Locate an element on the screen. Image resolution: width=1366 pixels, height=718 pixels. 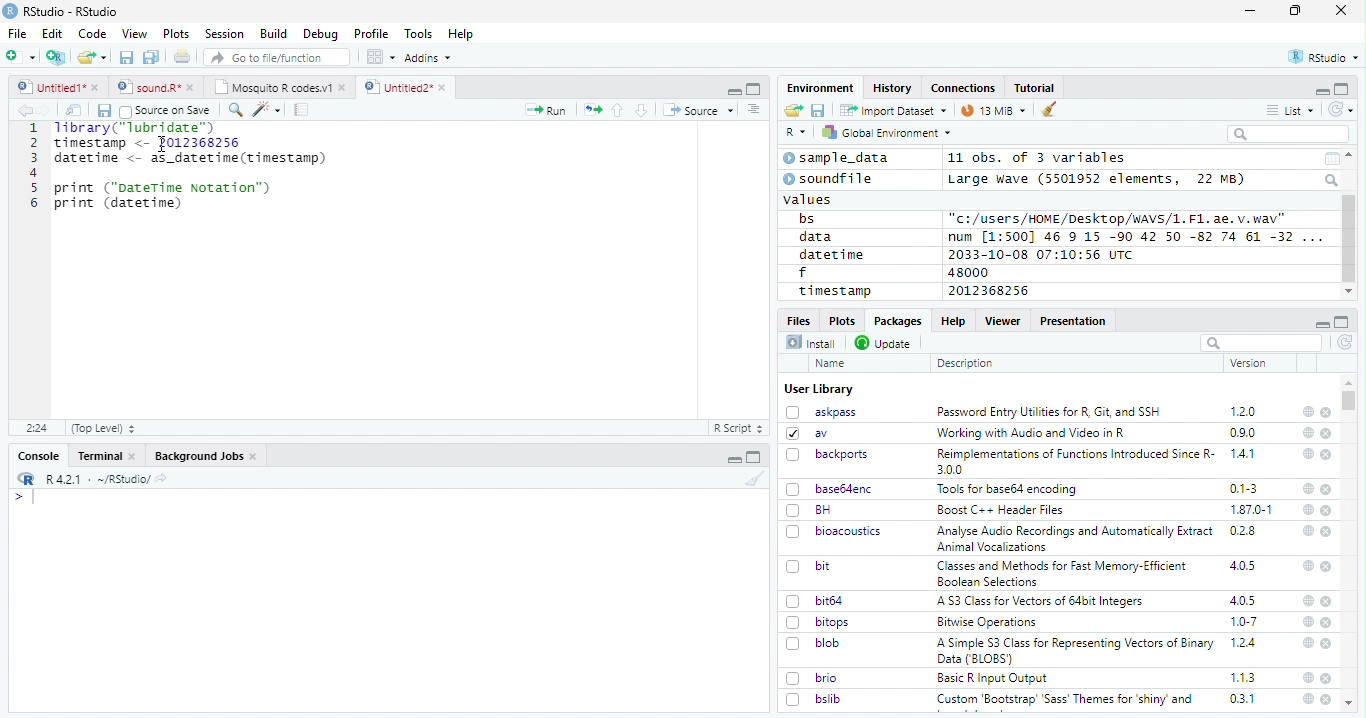
close is located at coordinates (1327, 455).